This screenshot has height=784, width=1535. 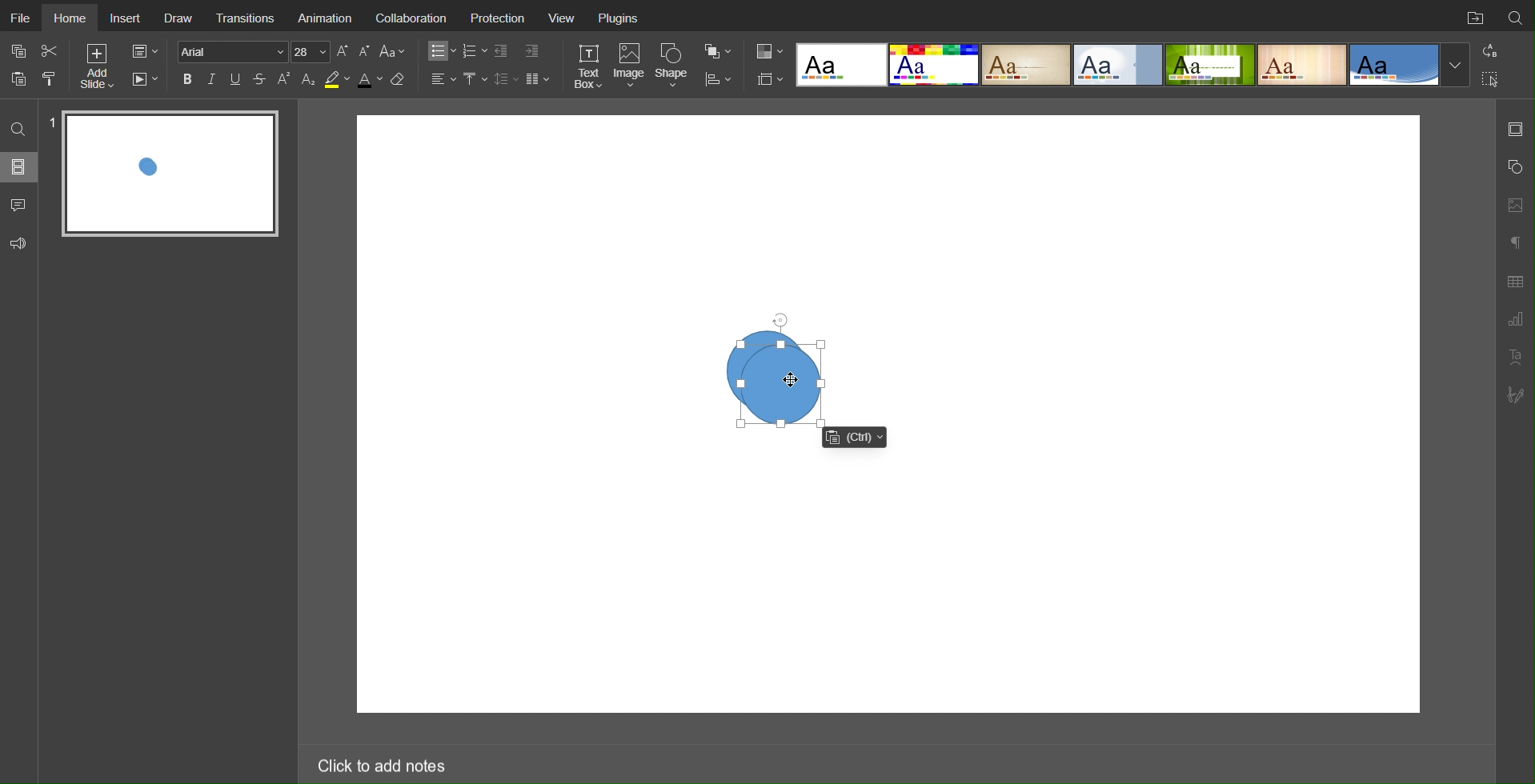 I want to click on paste, so click(x=854, y=436).